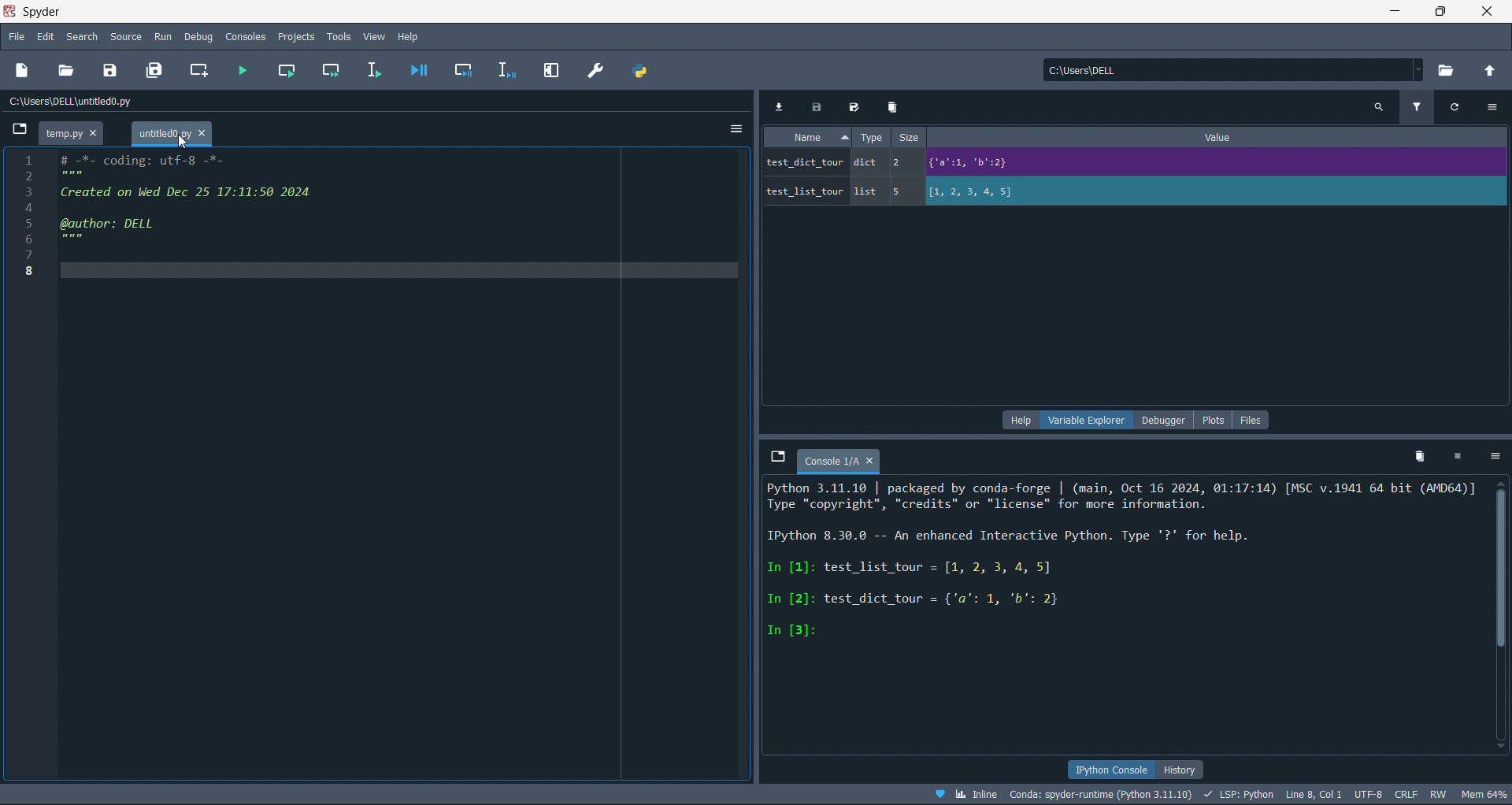 Image resolution: width=1512 pixels, height=805 pixels. Describe the element at coordinates (1088, 422) in the screenshot. I see `variable explorer pane` at that location.